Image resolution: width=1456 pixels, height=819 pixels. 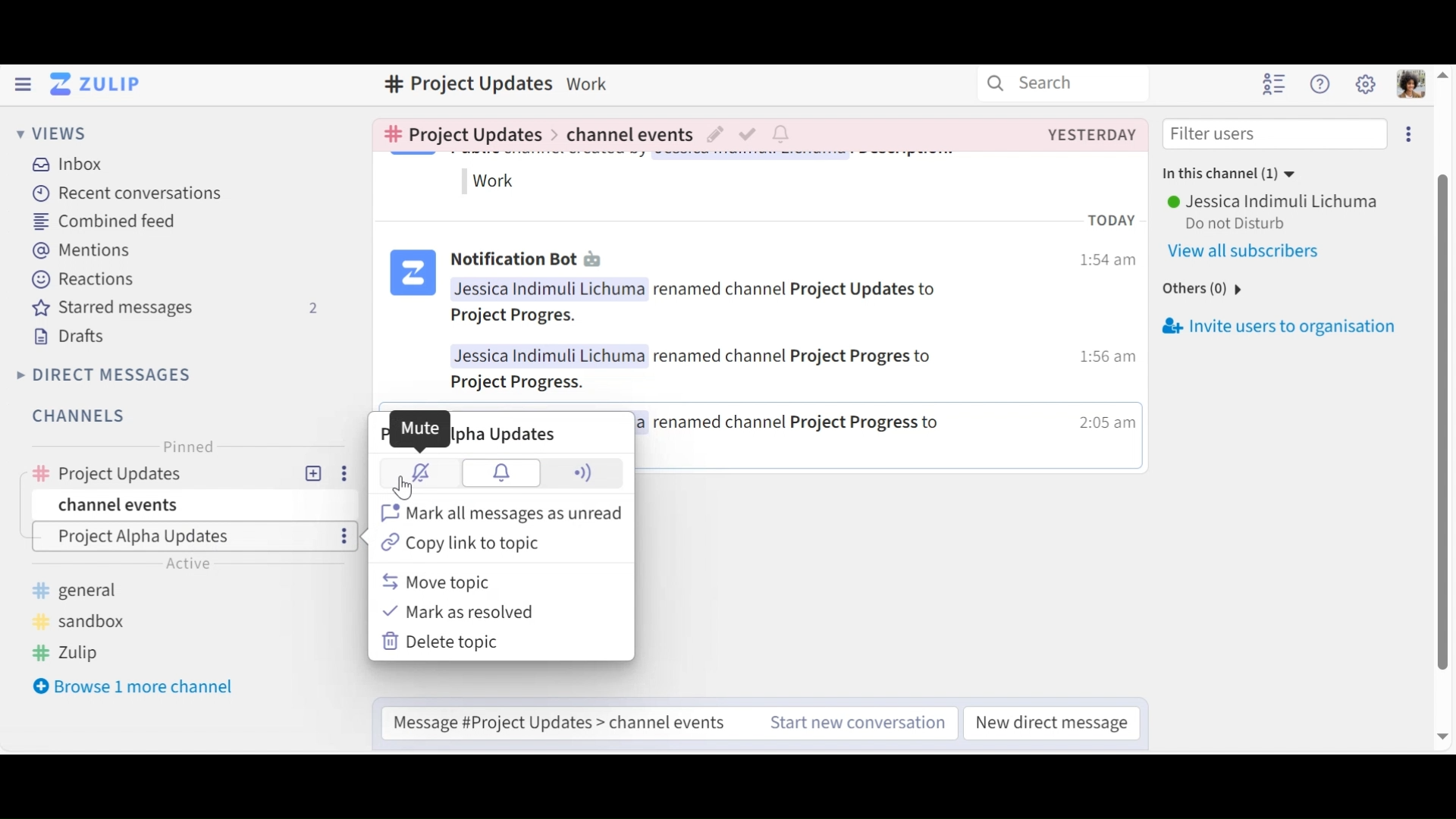 I want to click on more options, so click(x=347, y=537).